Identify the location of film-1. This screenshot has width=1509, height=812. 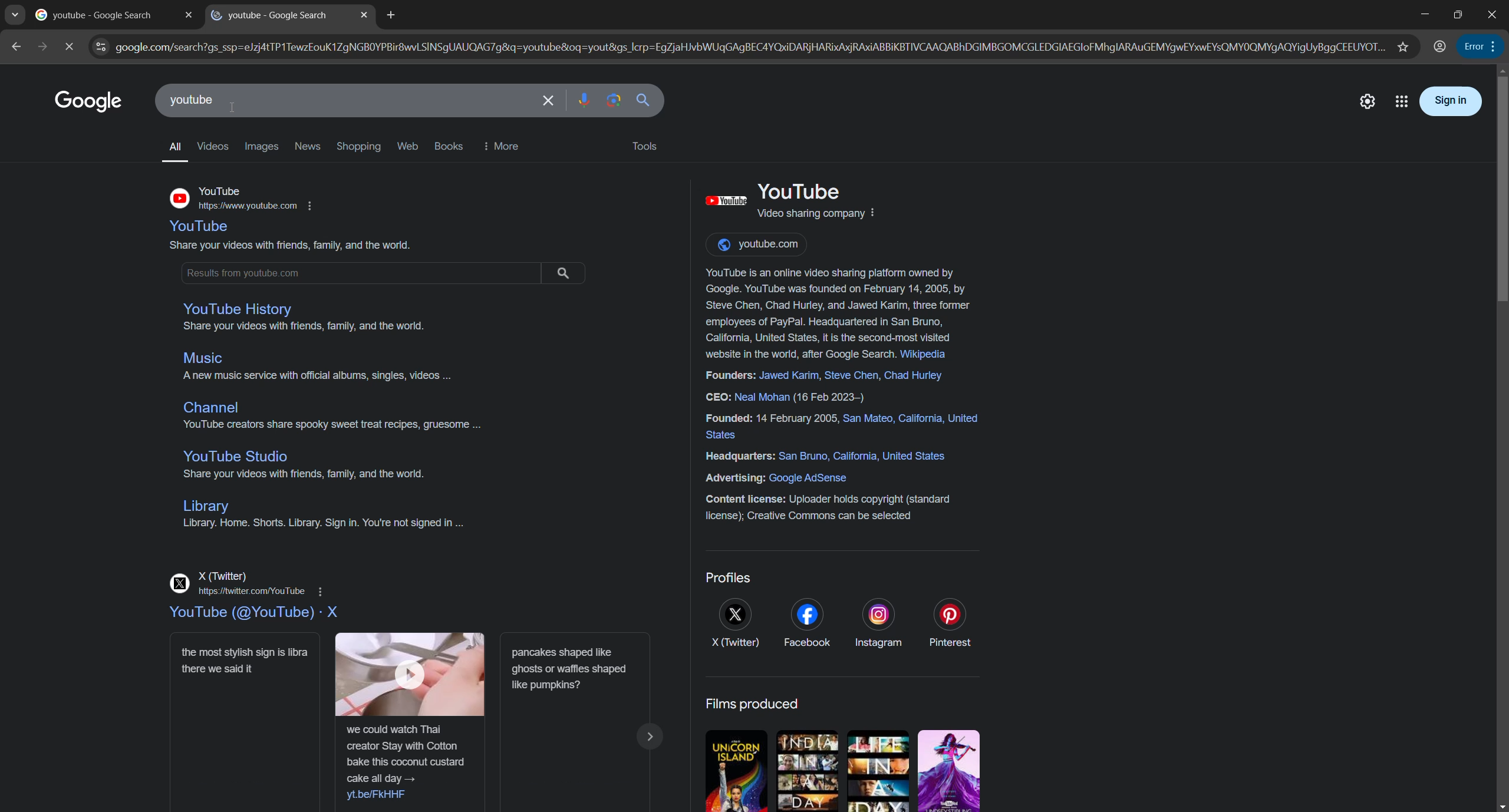
(735, 769).